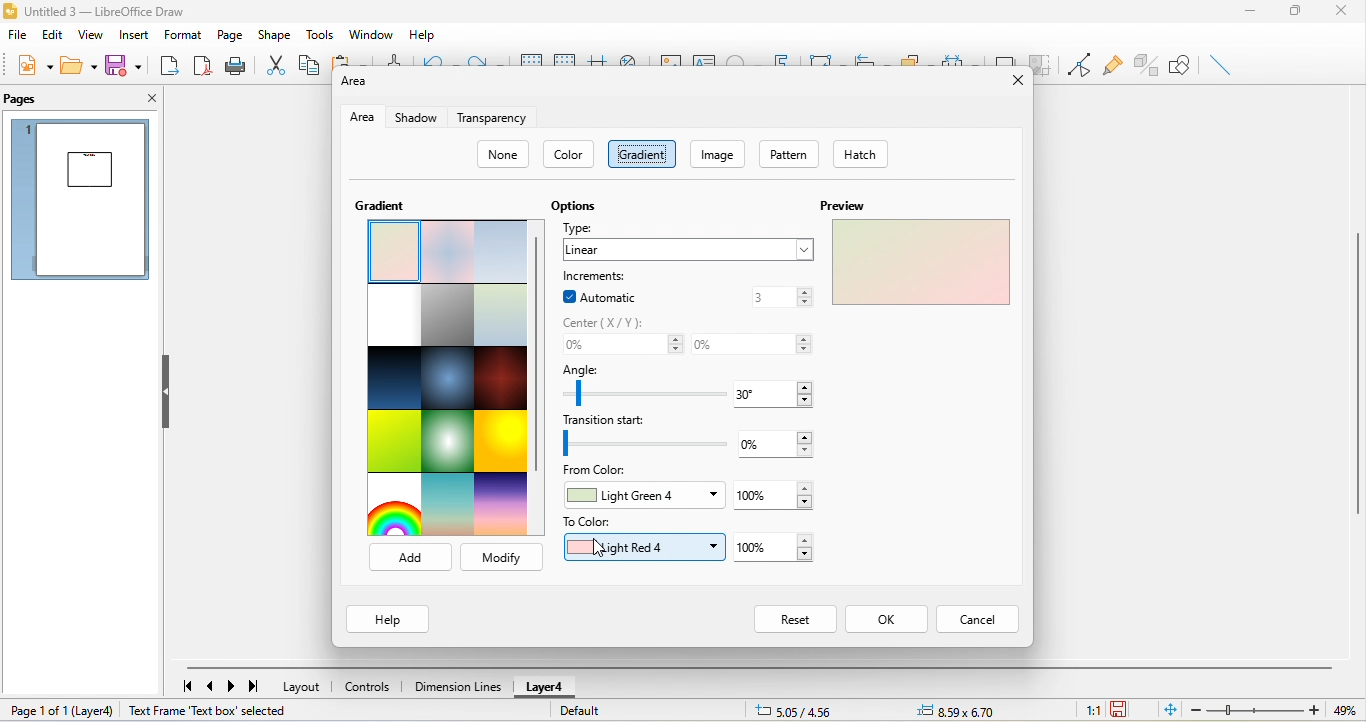 Image resolution: width=1366 pixels, height=722 pixels. Describe the element at coordinates (1224, 65) in the screenshot. I see `insert line` at that location.